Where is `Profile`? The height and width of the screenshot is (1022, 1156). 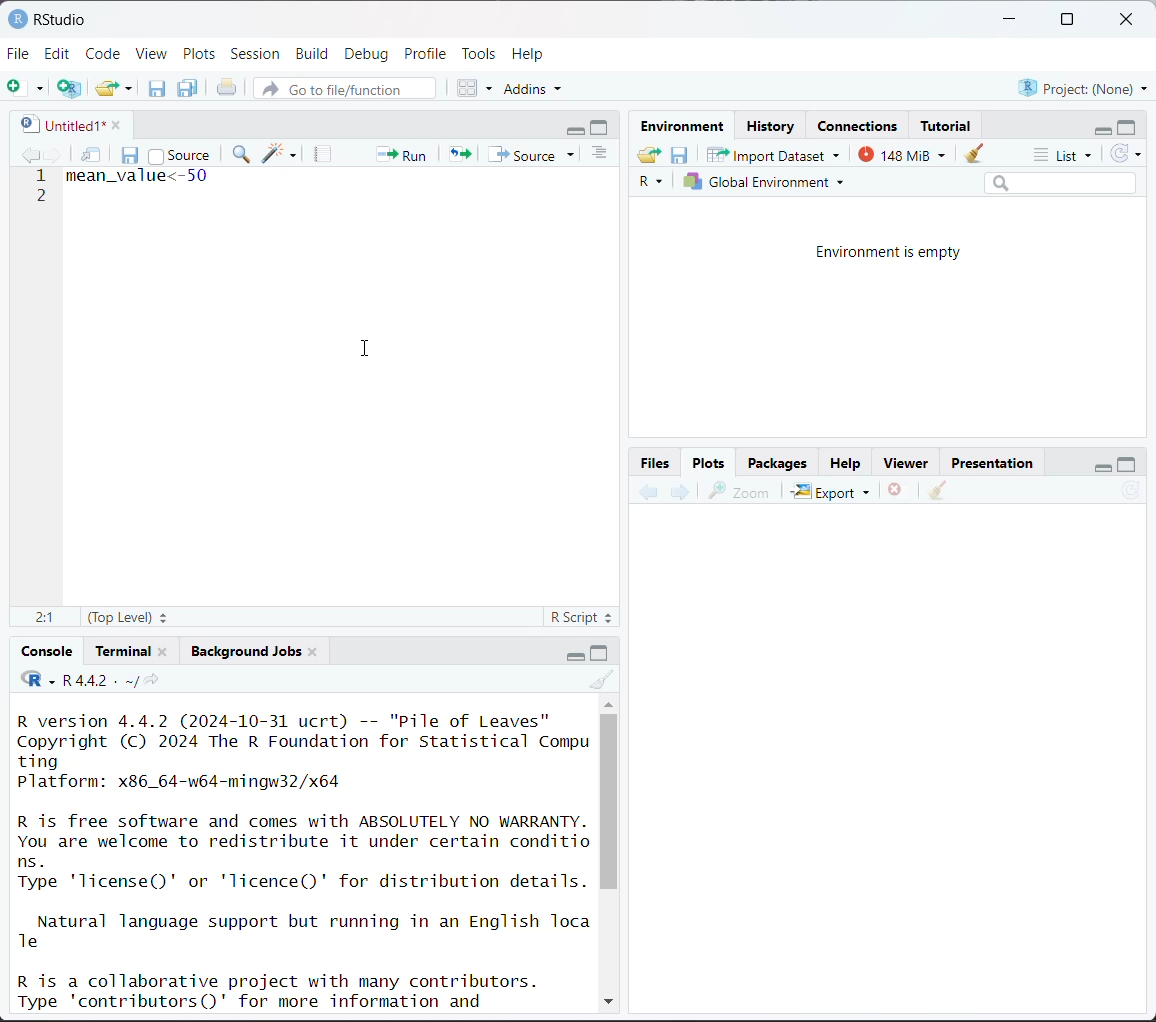 Profile is located at coordinates (428, 52).